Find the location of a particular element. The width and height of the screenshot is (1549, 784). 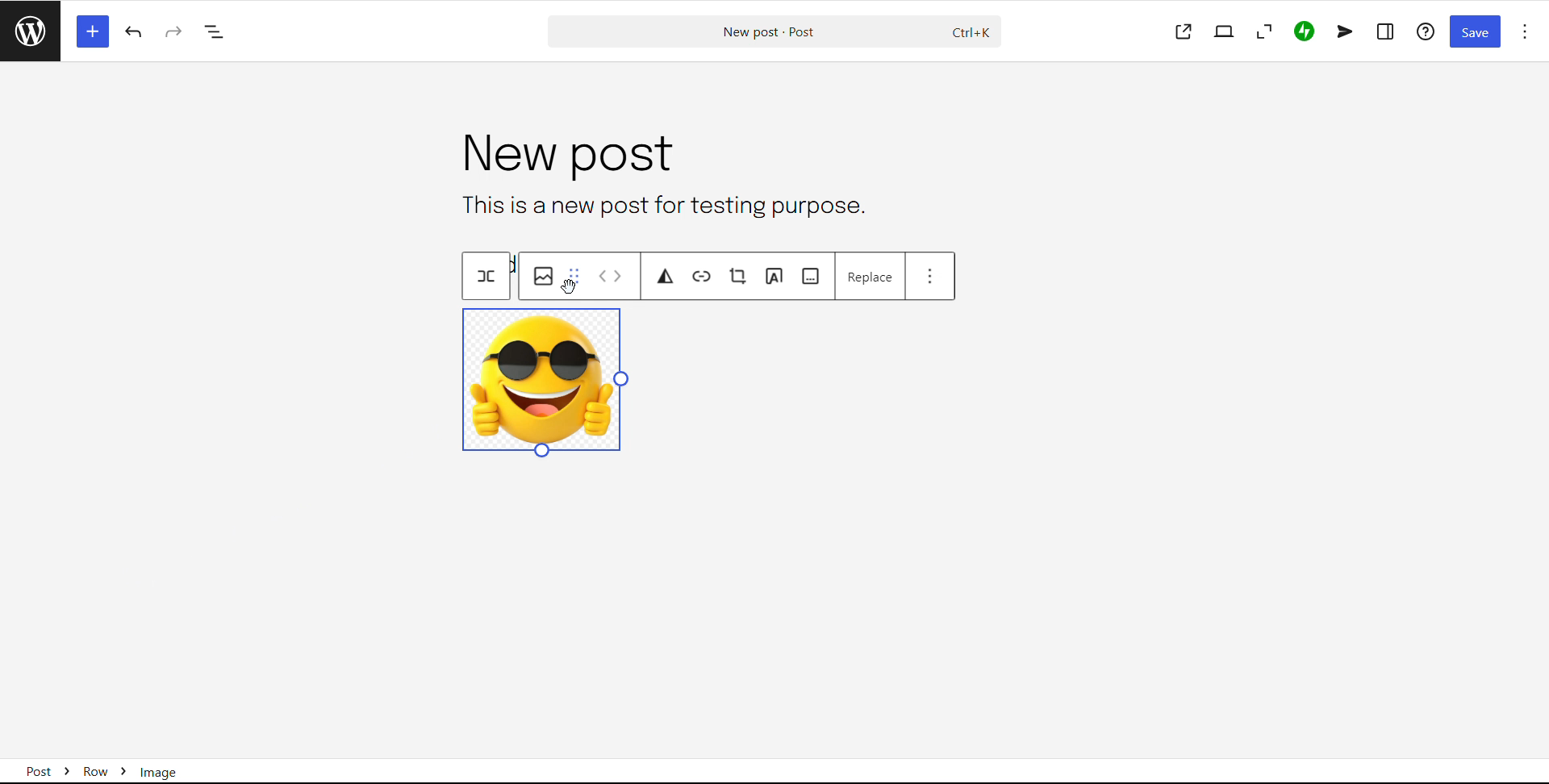

text block 1 is located at coordinates (660, 205).